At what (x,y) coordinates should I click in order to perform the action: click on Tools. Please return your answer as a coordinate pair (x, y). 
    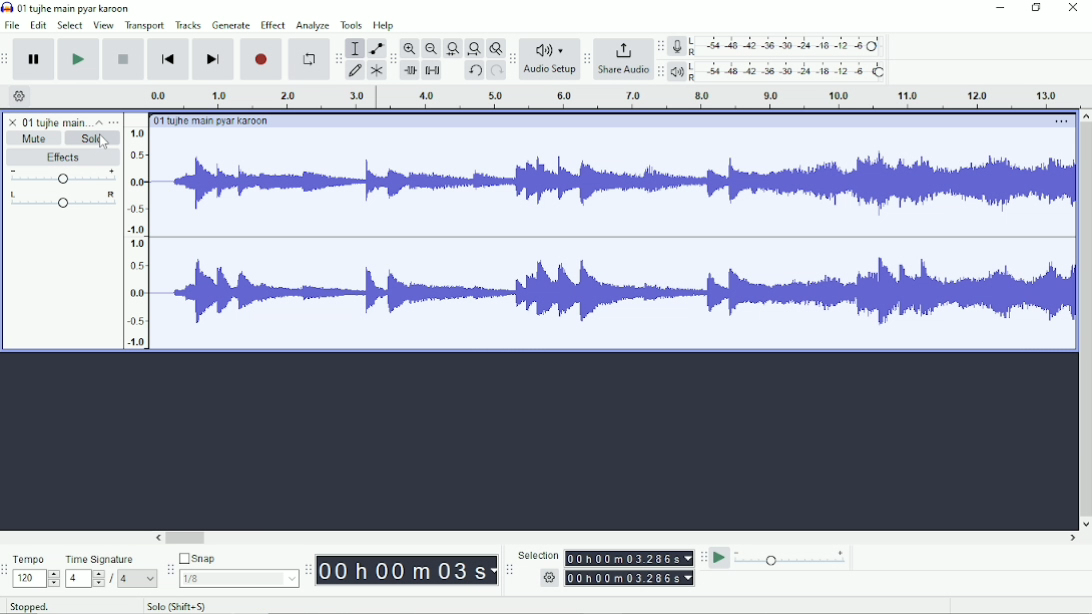
    Looking at the image, I should click on (352, 25).